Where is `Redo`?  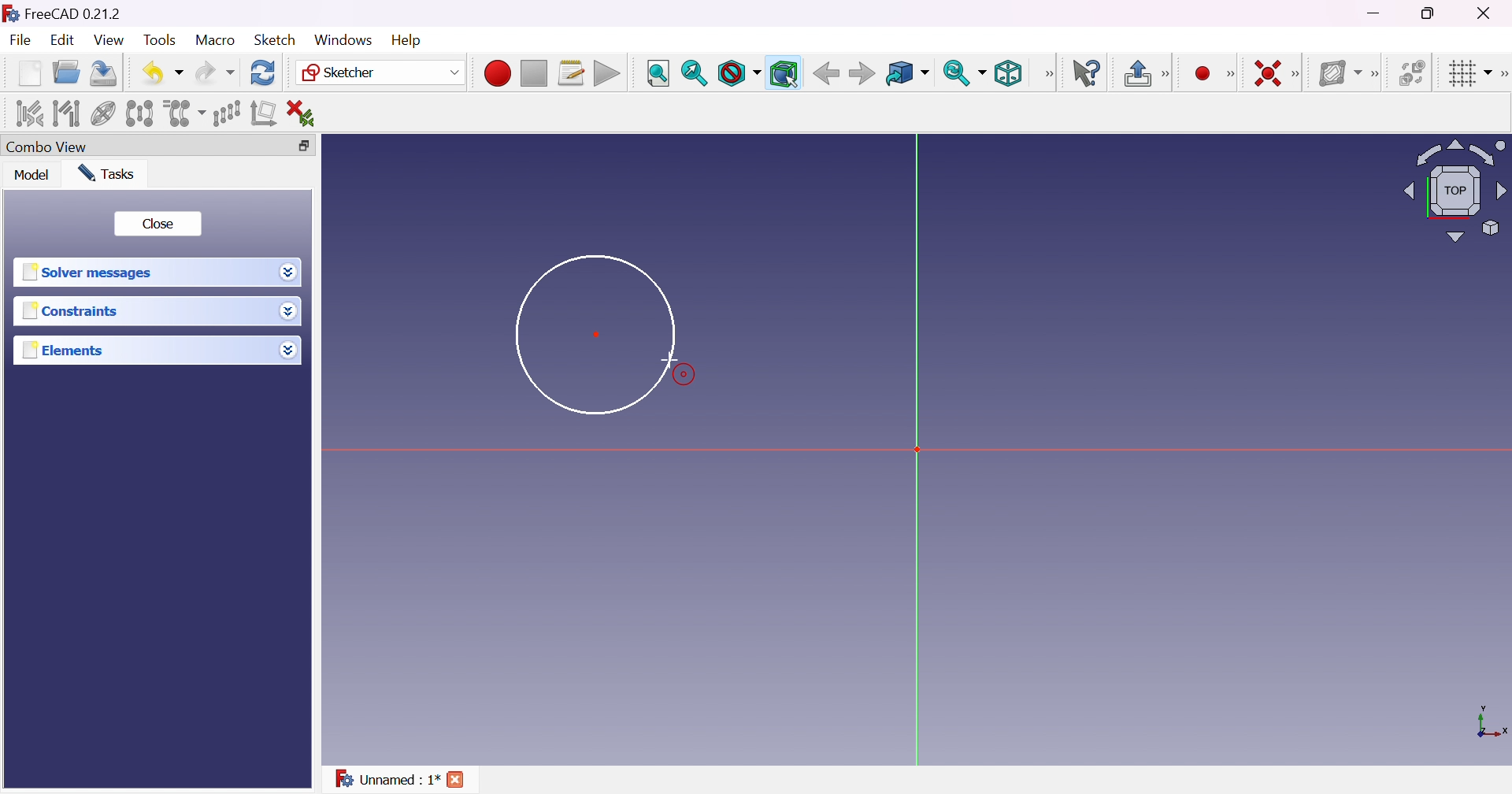 Redo is located at coordinates (215, 72).